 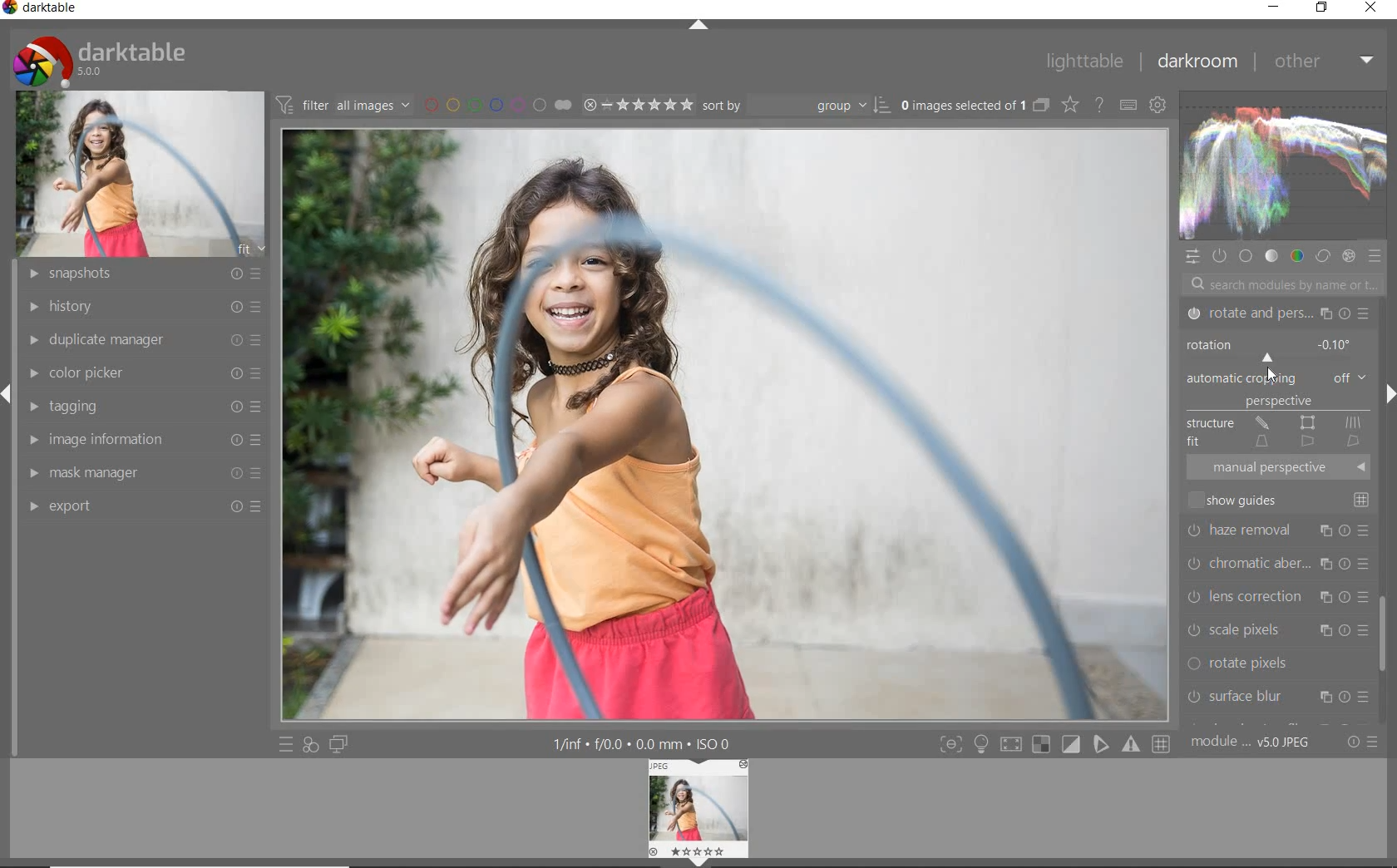 I want to click on module order, so click(x=1251, y=743).